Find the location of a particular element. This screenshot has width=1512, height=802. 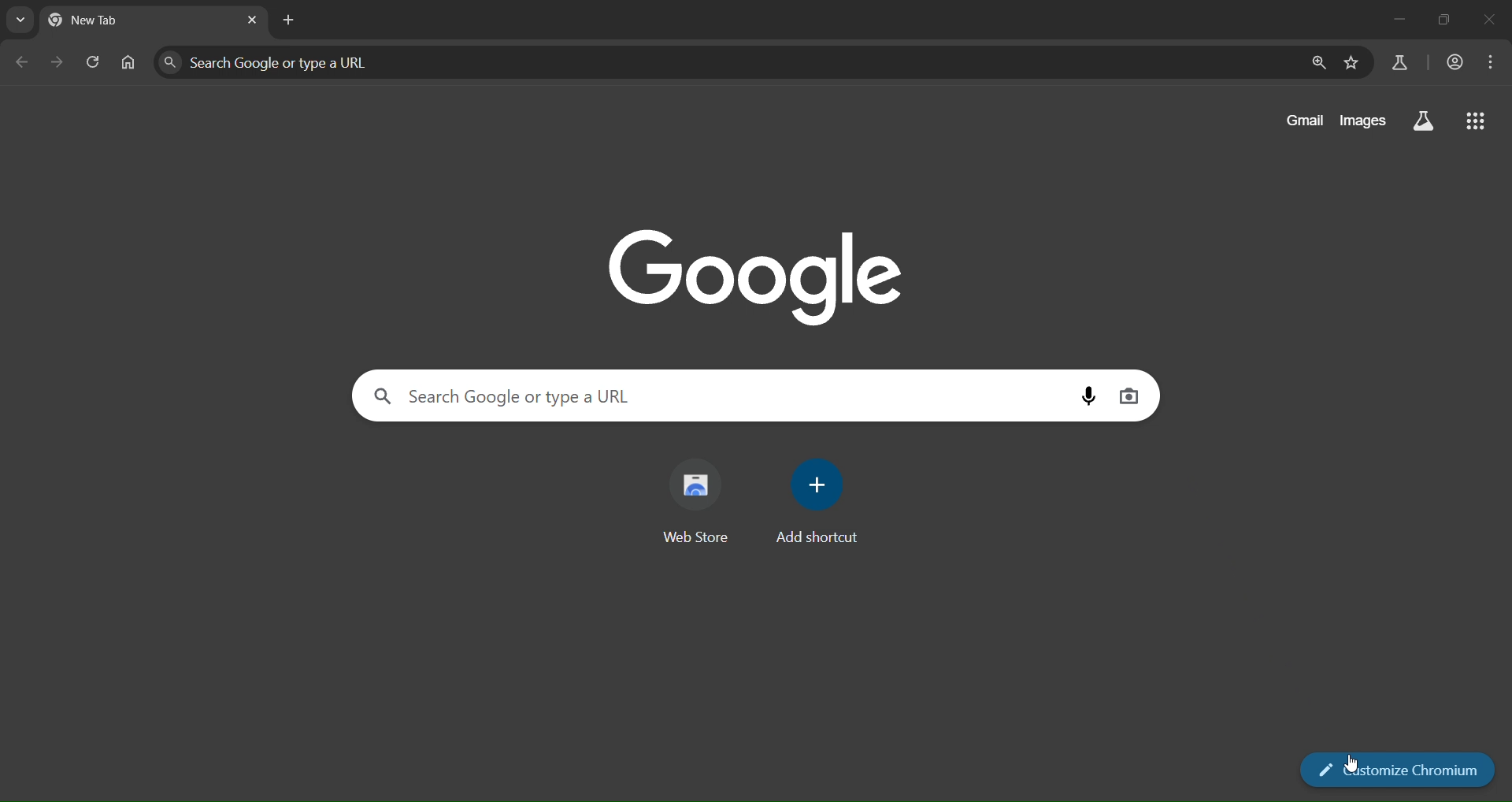

minimize is located at coordinates (1392, 13).